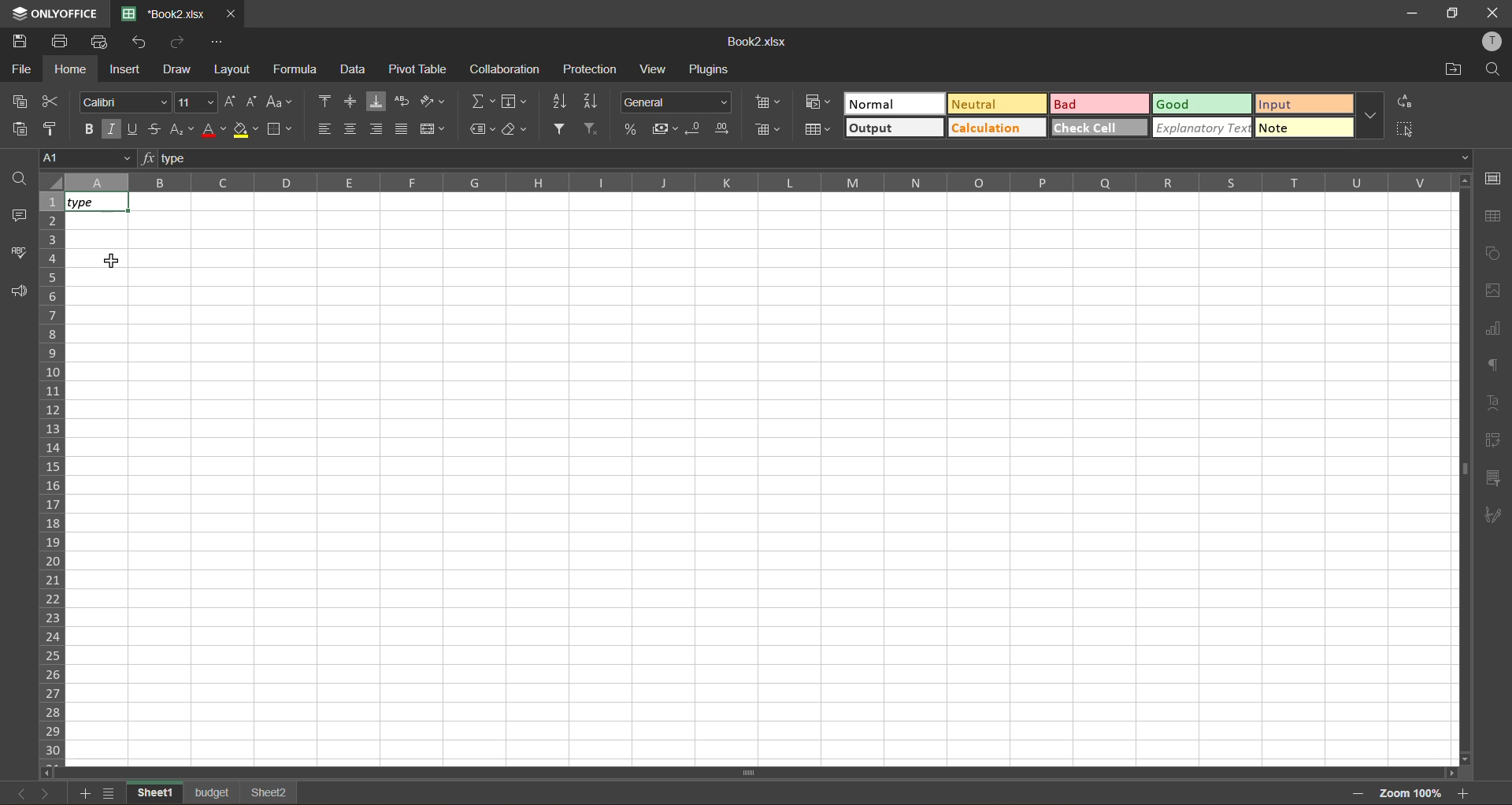 This screenshot has width=1512, height=805. What do you see at coordinates (483, 130) in the screenshot?
I see `named ranges` at bounding box center [483, 130].